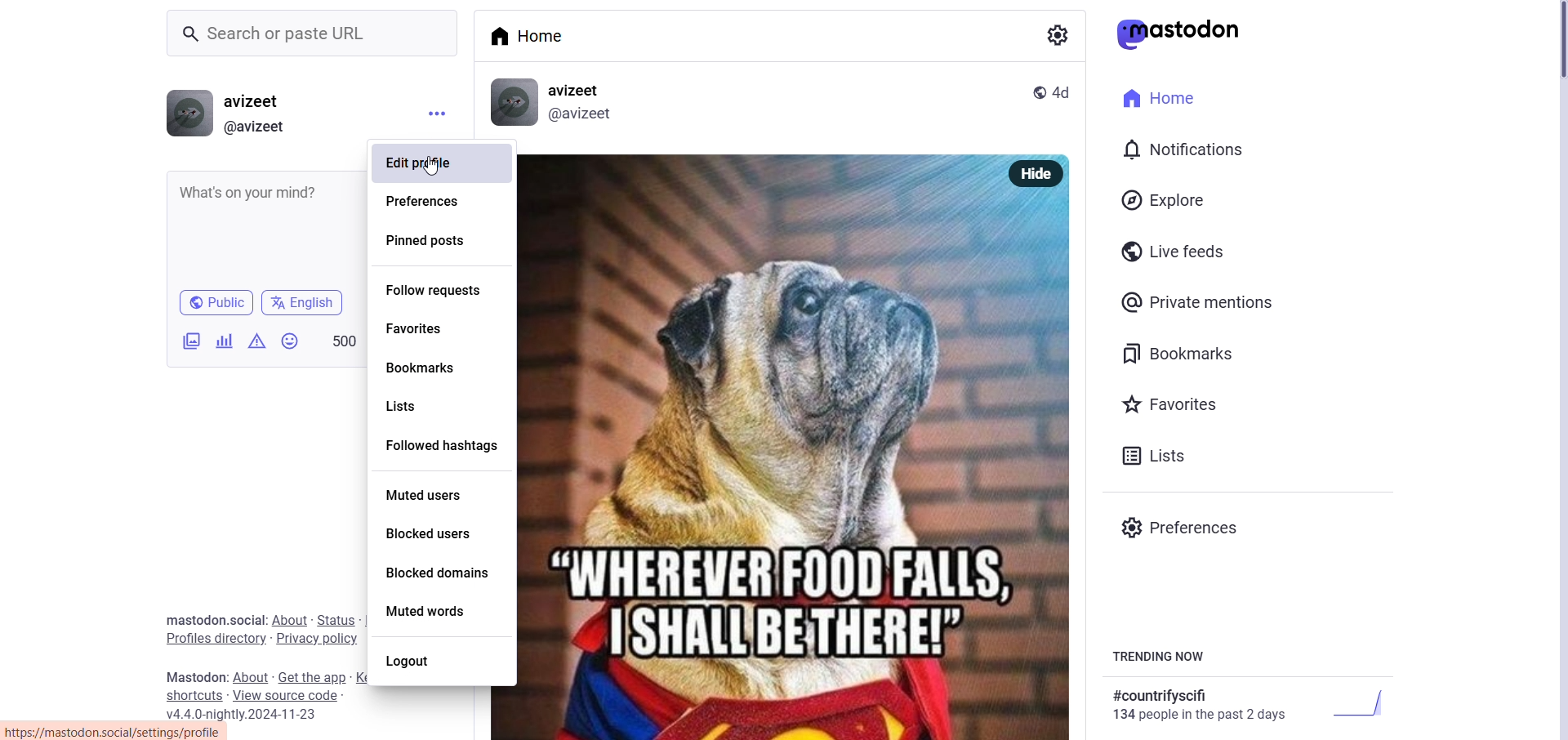 The image size is (1568, 740). What do you see at coordinates (312, 678) in the screenshot?
I see `get the app` at bounding box center [312, 678].